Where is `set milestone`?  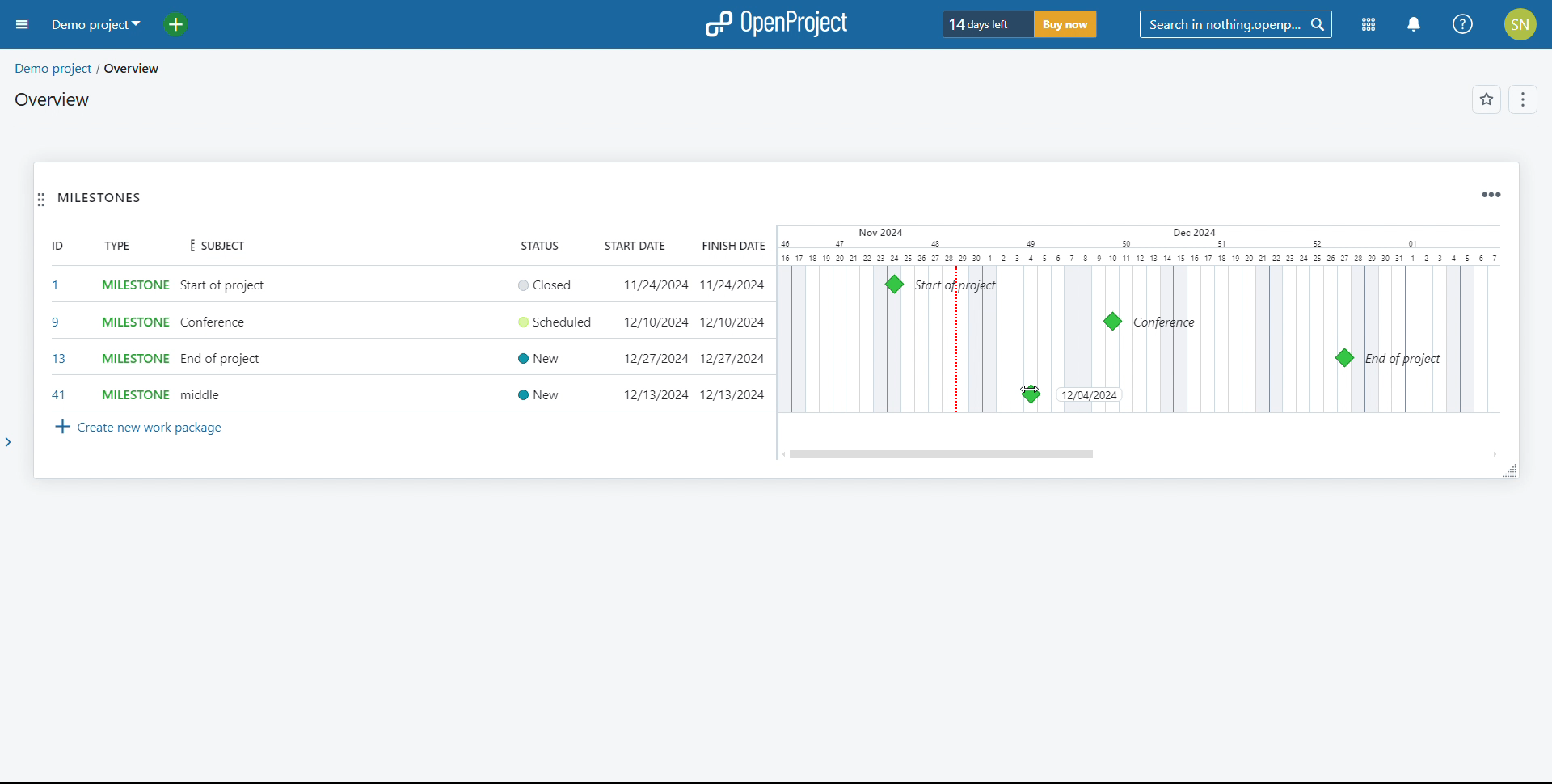 set milestone is located at coordinates (133, 340).